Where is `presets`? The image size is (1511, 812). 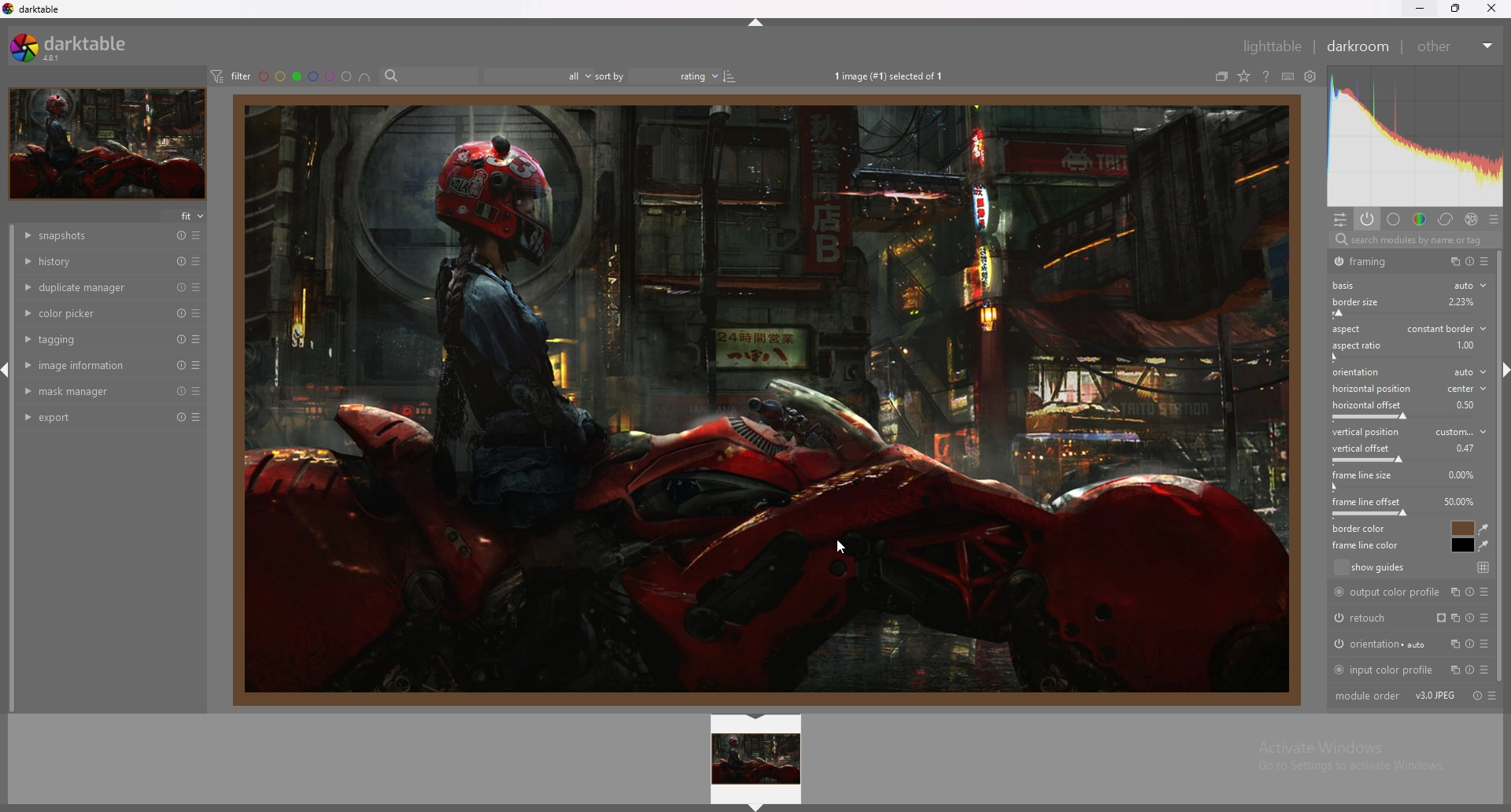
presets is located at coordinates (196, 418).